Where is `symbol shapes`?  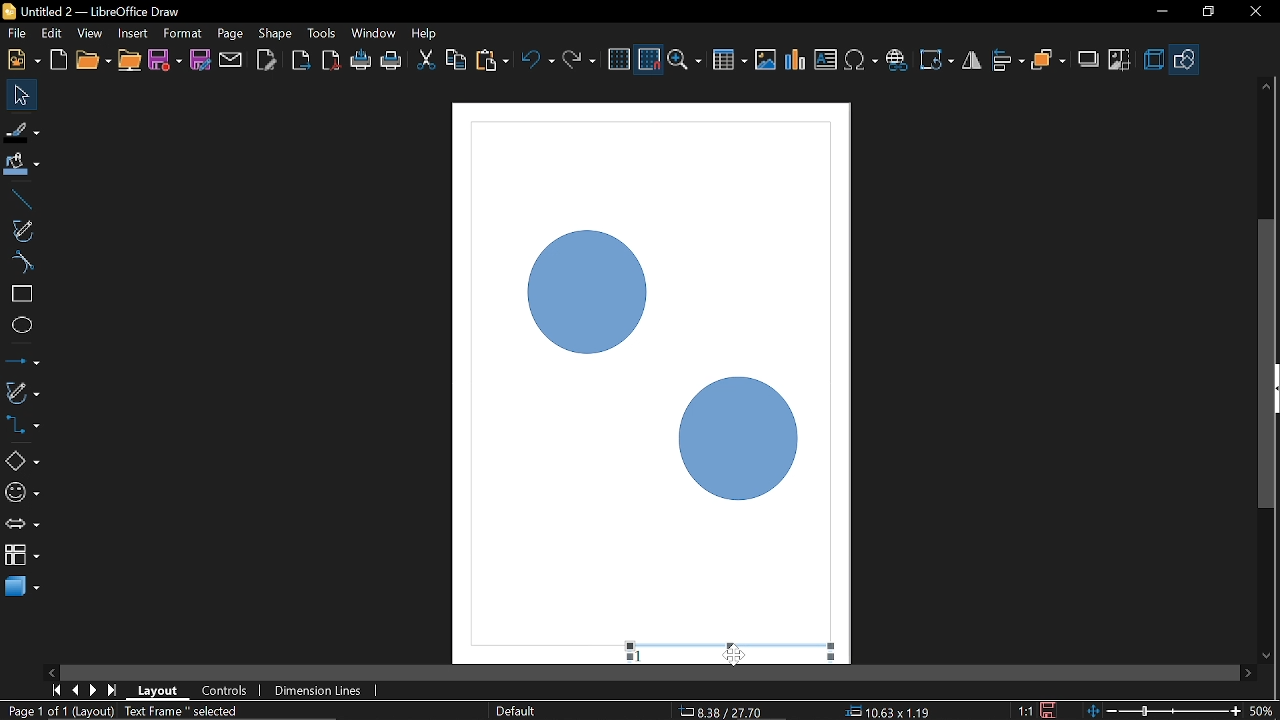
symbol shapes is located at coordinates (22, 496).